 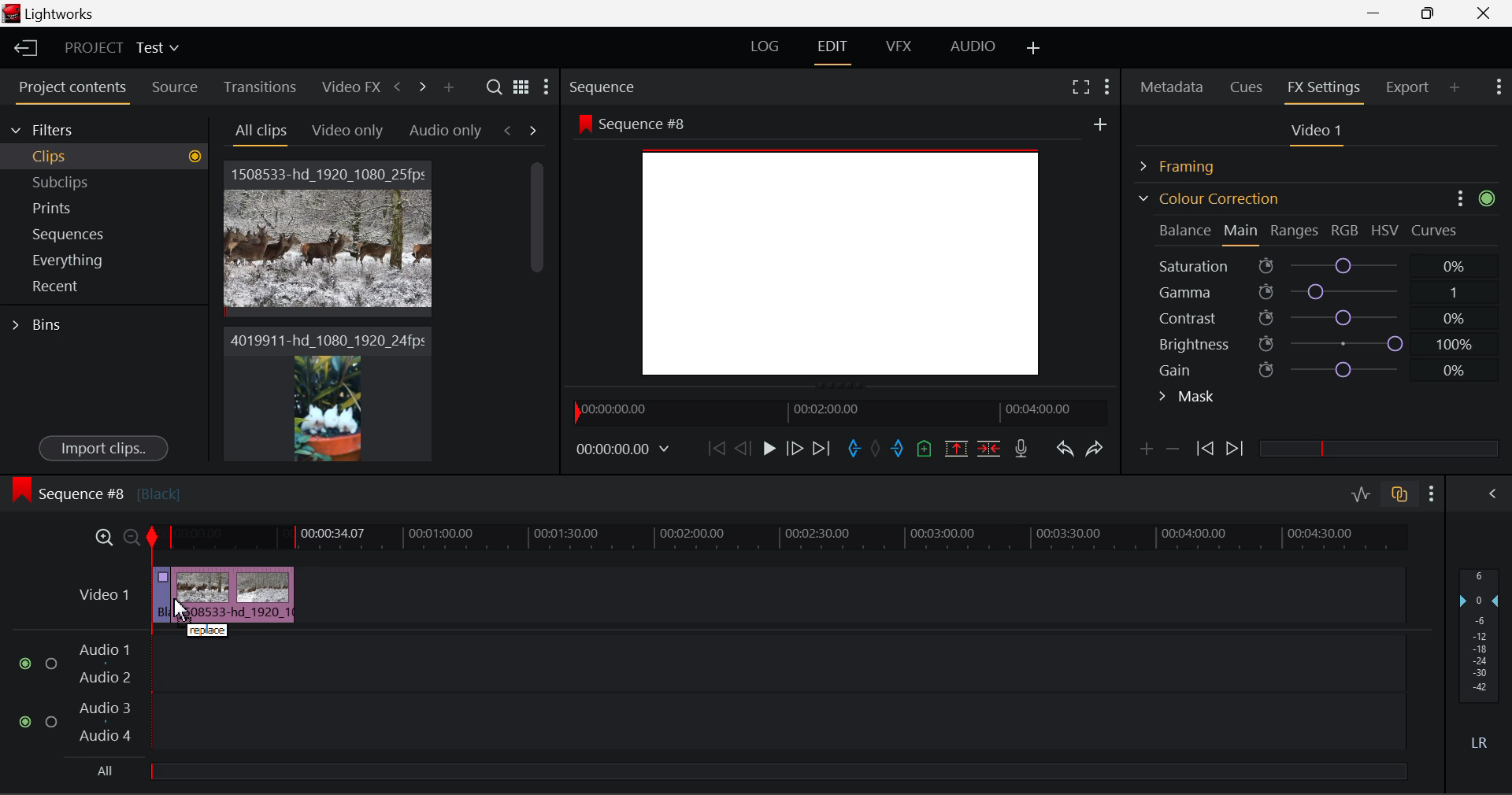 I want to click on EDIT Layout, so click(x=835, y=50).